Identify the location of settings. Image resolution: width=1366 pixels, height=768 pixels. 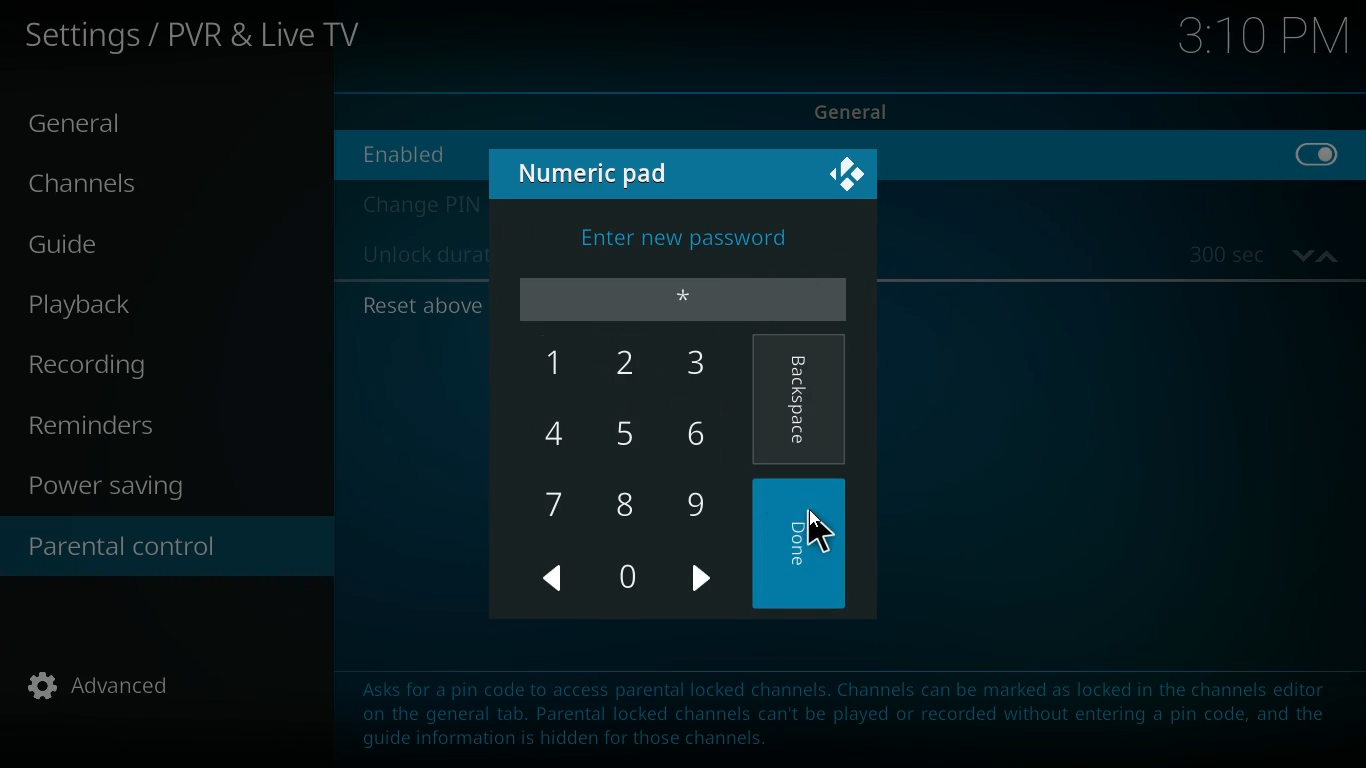
(198, 39).